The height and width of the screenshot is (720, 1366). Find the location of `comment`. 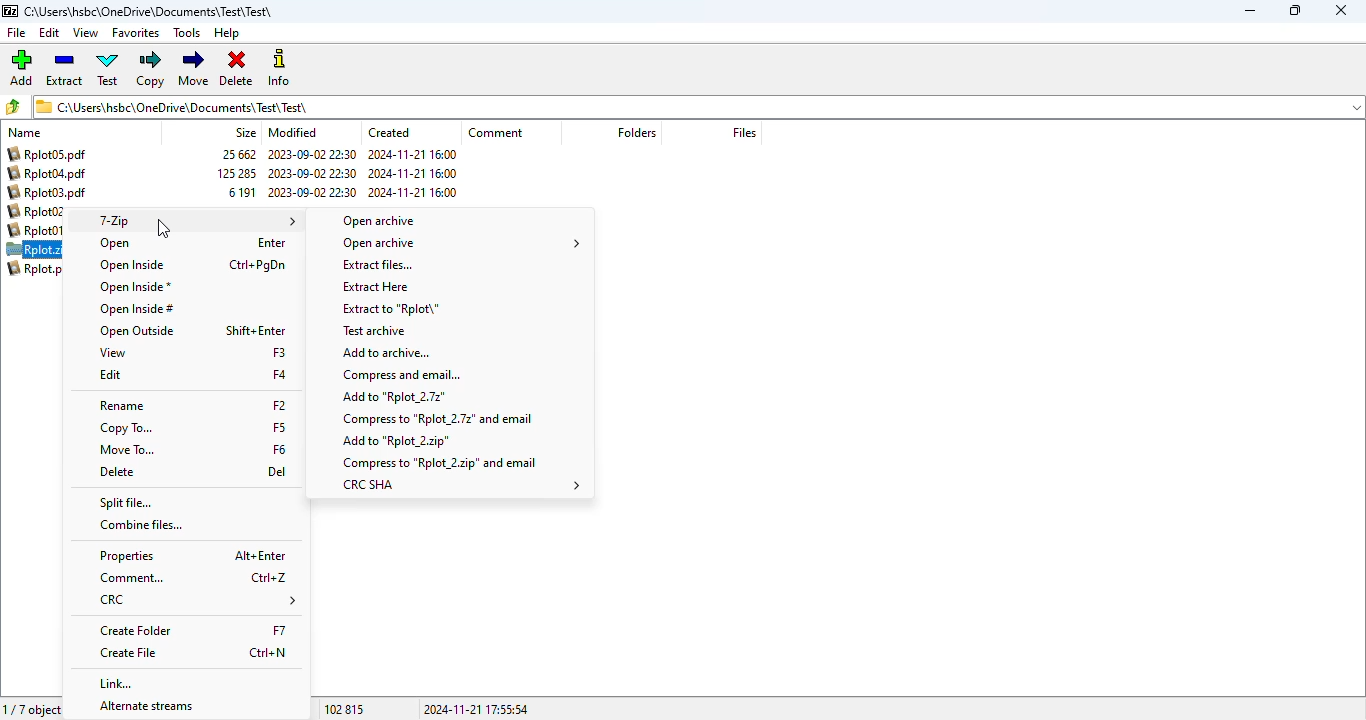

comment is located at coordinates (496, 132).